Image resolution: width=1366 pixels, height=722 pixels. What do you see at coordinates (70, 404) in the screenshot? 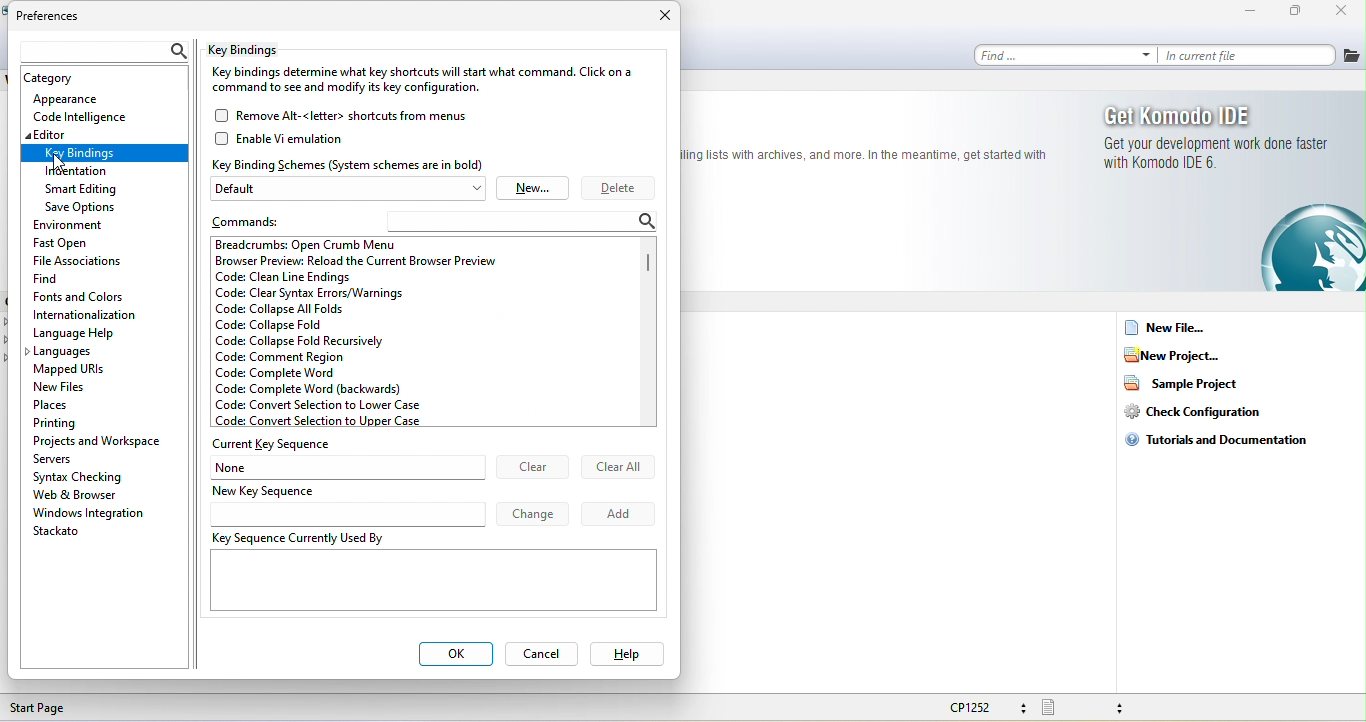
I see `place` at bounding box center [70, 404].